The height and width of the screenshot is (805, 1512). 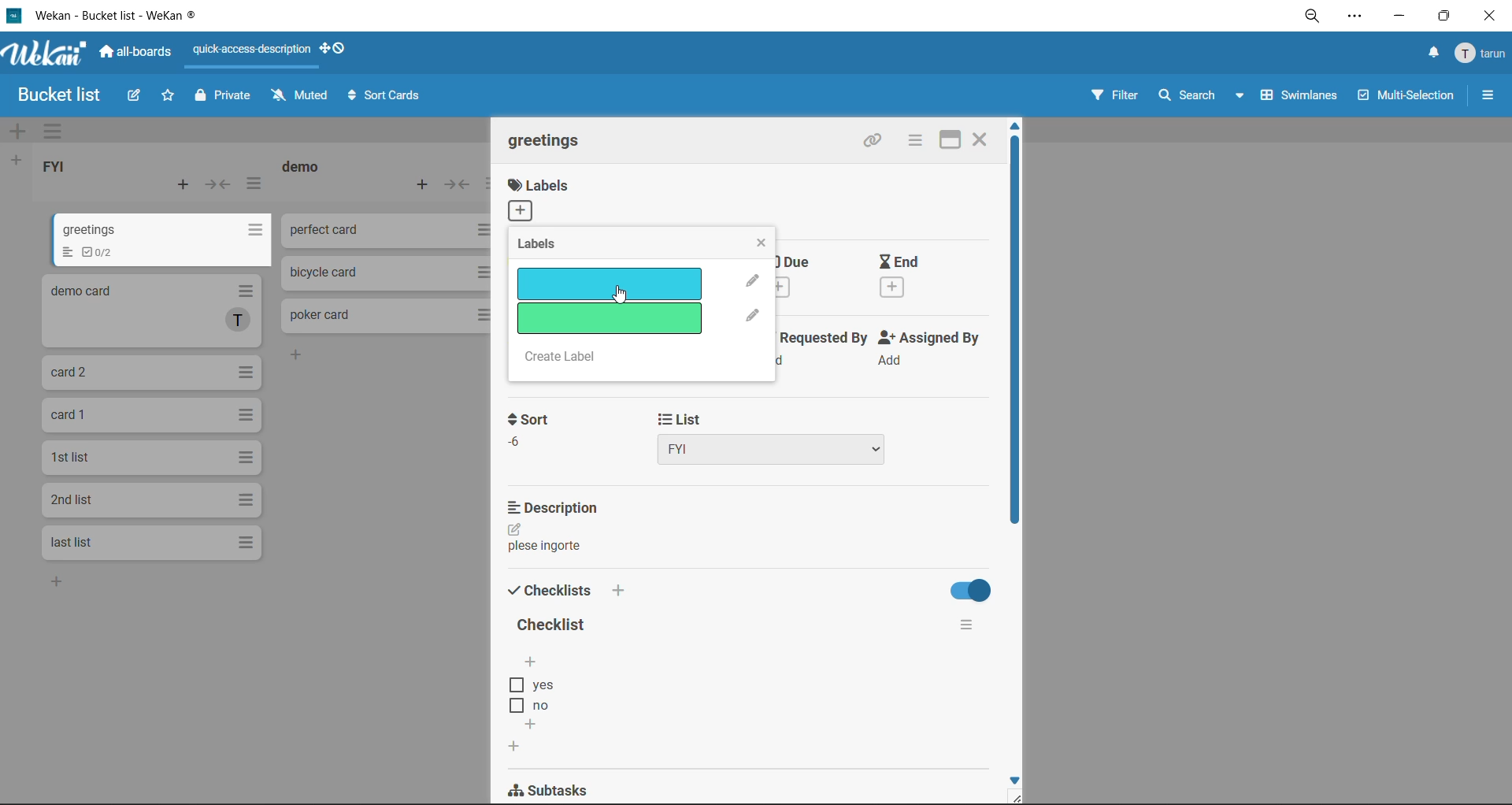 What do you see at coordinates (222, 99) in the screenshot?
I see `private` at bounding box center [222, 99].